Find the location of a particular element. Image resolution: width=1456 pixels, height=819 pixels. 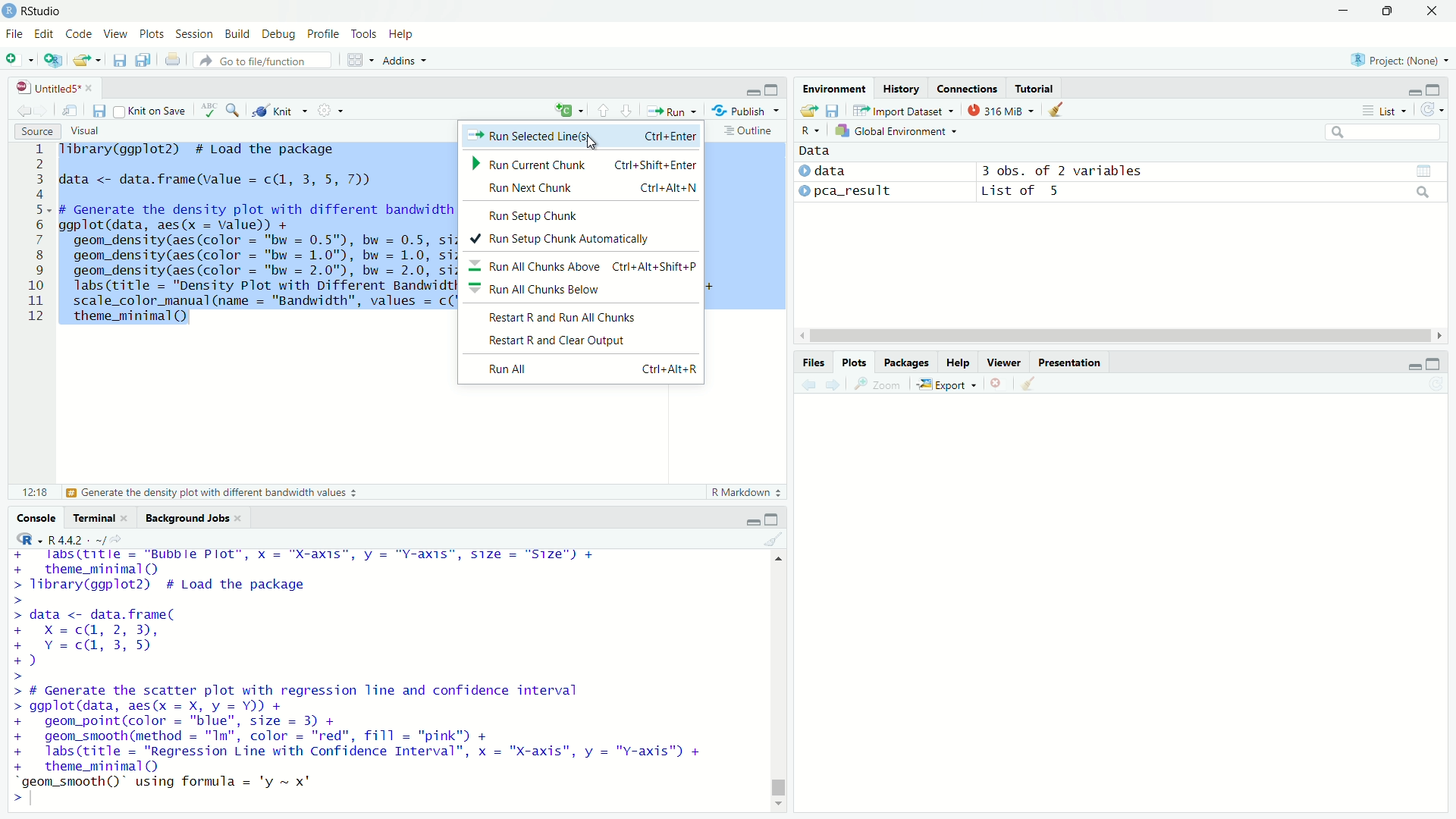

library(ggplot2) # Load the package

data <- data.frame(value = c(1, 3, 5, 7))

# Generate the density plot with different bandwidth values

ggplot(data, aes(x = value)) + bi
geom_density(aes(color = "bw = 0.5"), bw = 0.5, size = 1) +
geom_density(aes(color = "bw = 1.0"), bw = 1.0, size = 1) +
geom_density(aes(color = "bw = 2.0"), bw = 2.0, size = 1) +
labs(title = "Density Plot with Different Bandwidths", x = "value", y = "Density") +
scale_color_manual(name = "Bandwidth", values = c("red", "blue", "green")) +
theme_minimalQ), is located at coordinates (259, 235).